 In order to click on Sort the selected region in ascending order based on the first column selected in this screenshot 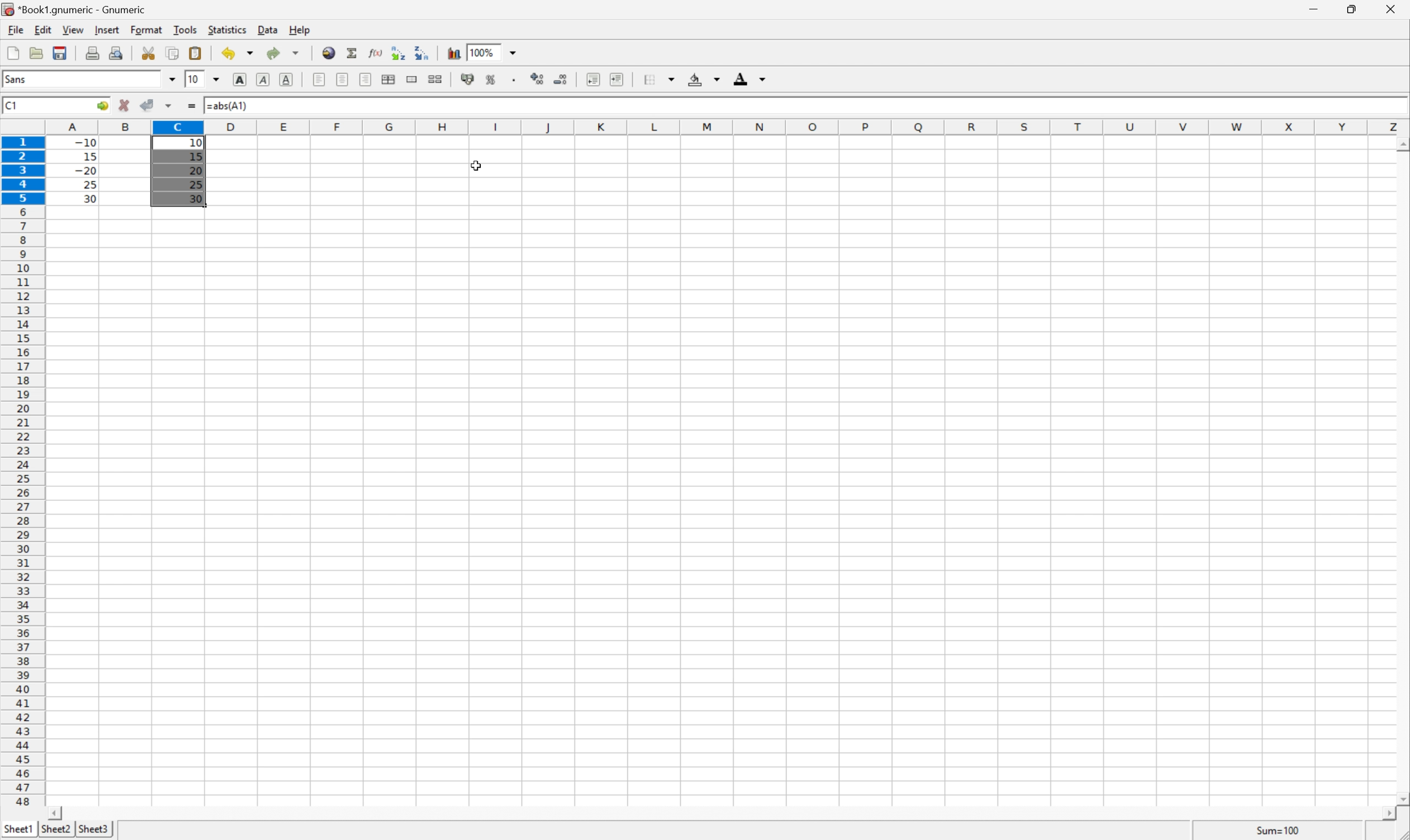, I will do `click(396, 52)`.